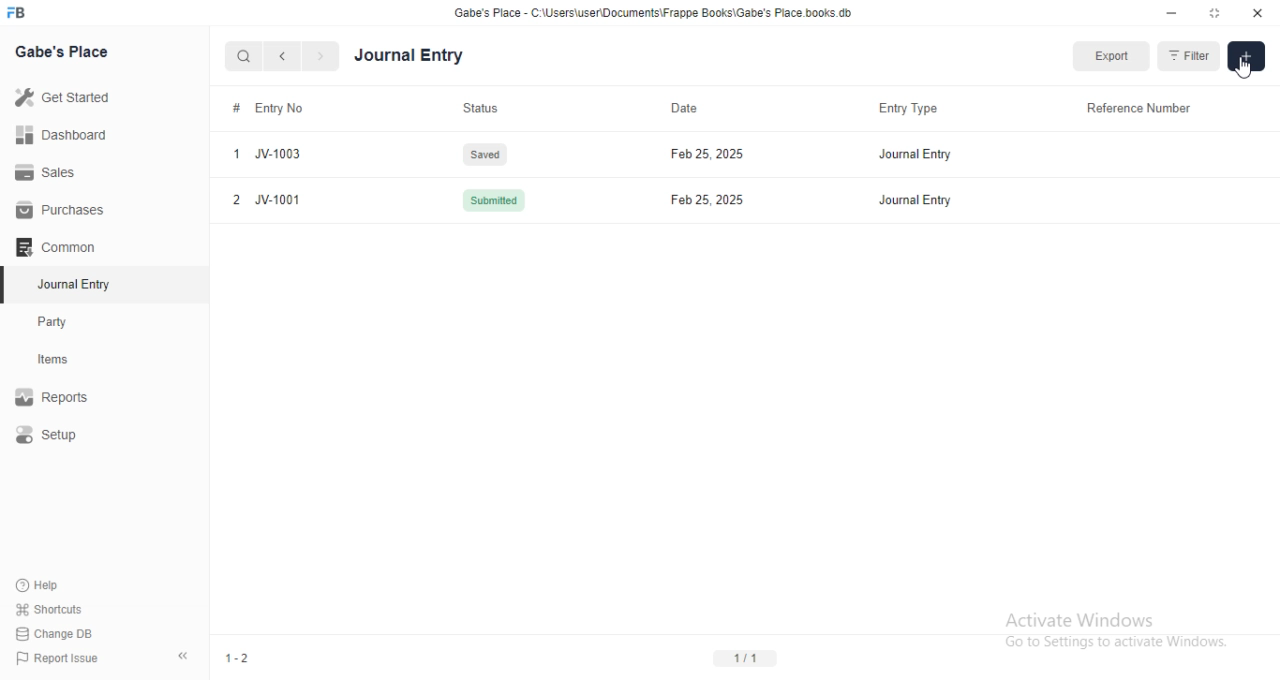 The image size is (1280, 680). Describe the element at coordinates (54, 322) in the screenshot. I see `Party` at that location.